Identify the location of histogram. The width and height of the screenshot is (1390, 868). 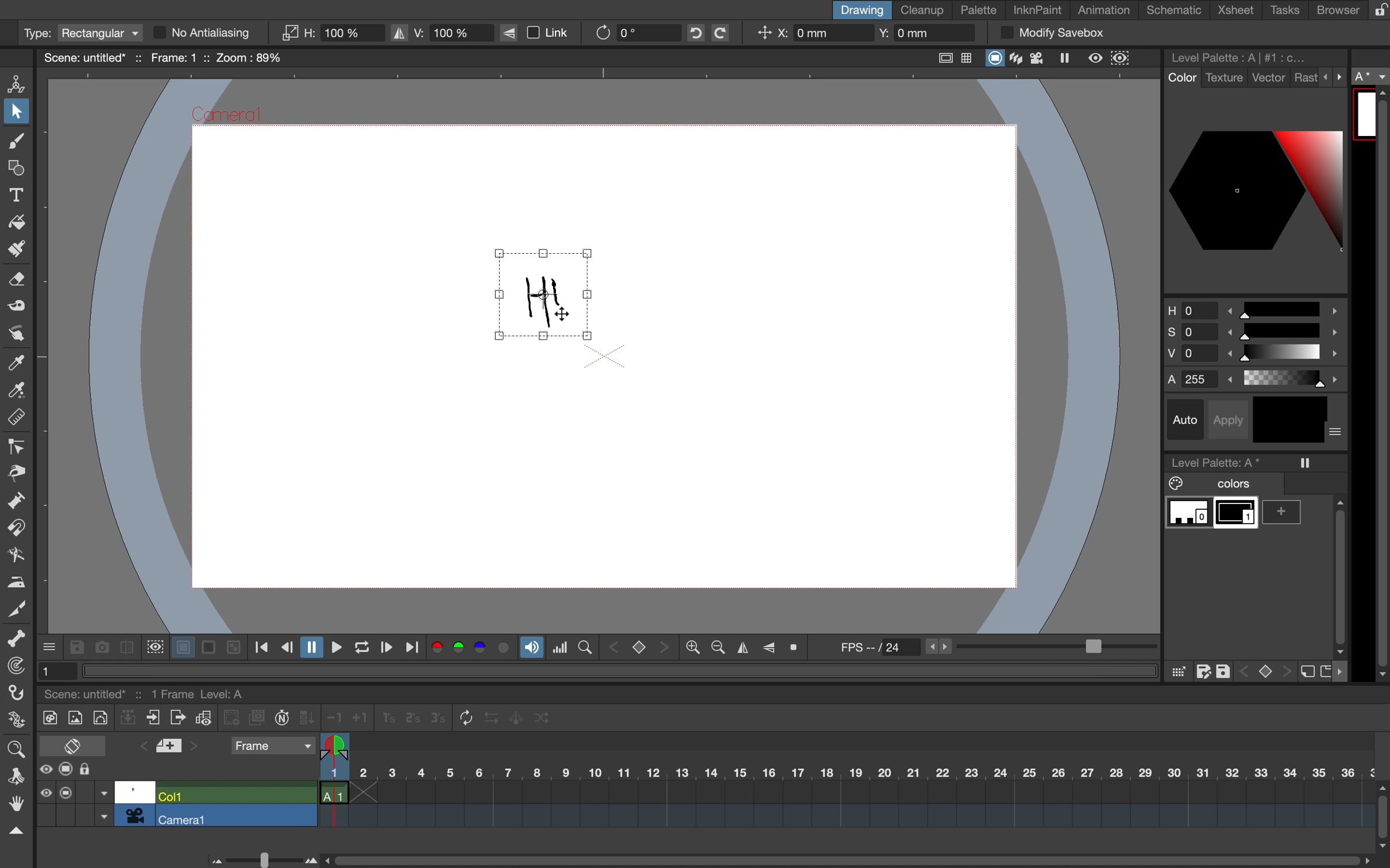
(560, 648).